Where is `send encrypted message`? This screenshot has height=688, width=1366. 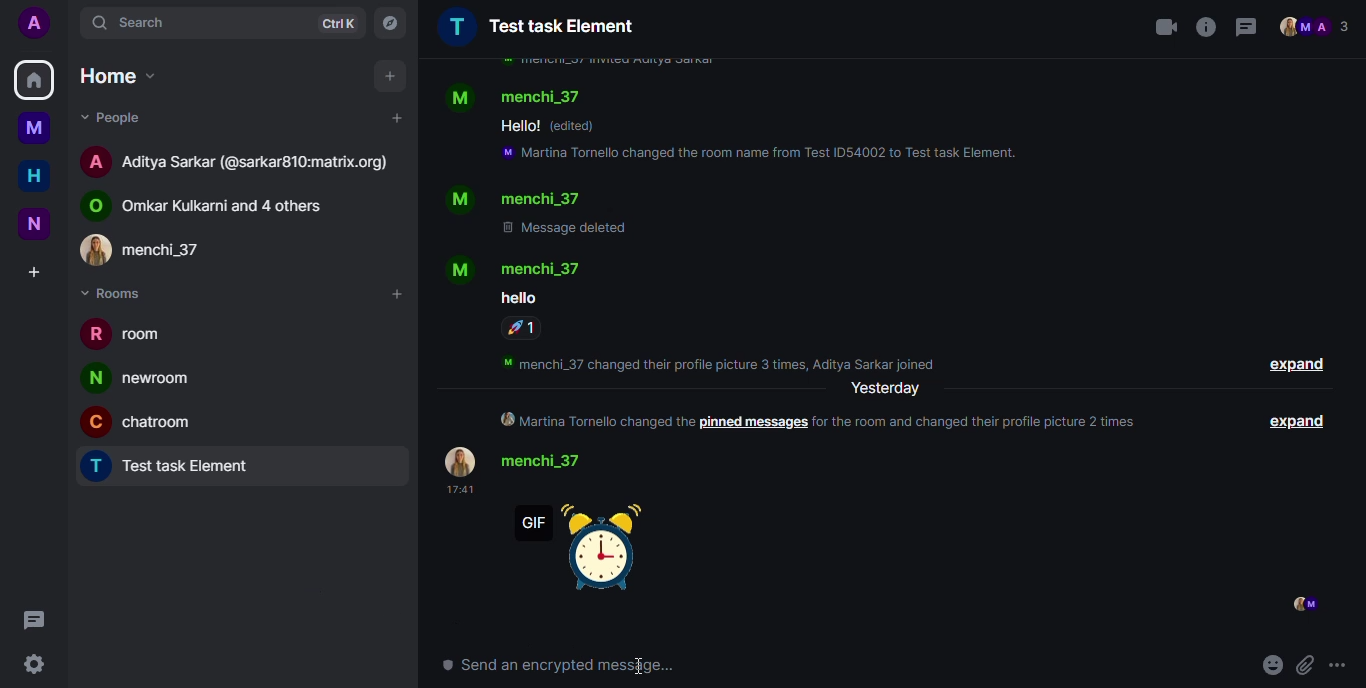 send encrypted message is located at coordinates (561, 665).